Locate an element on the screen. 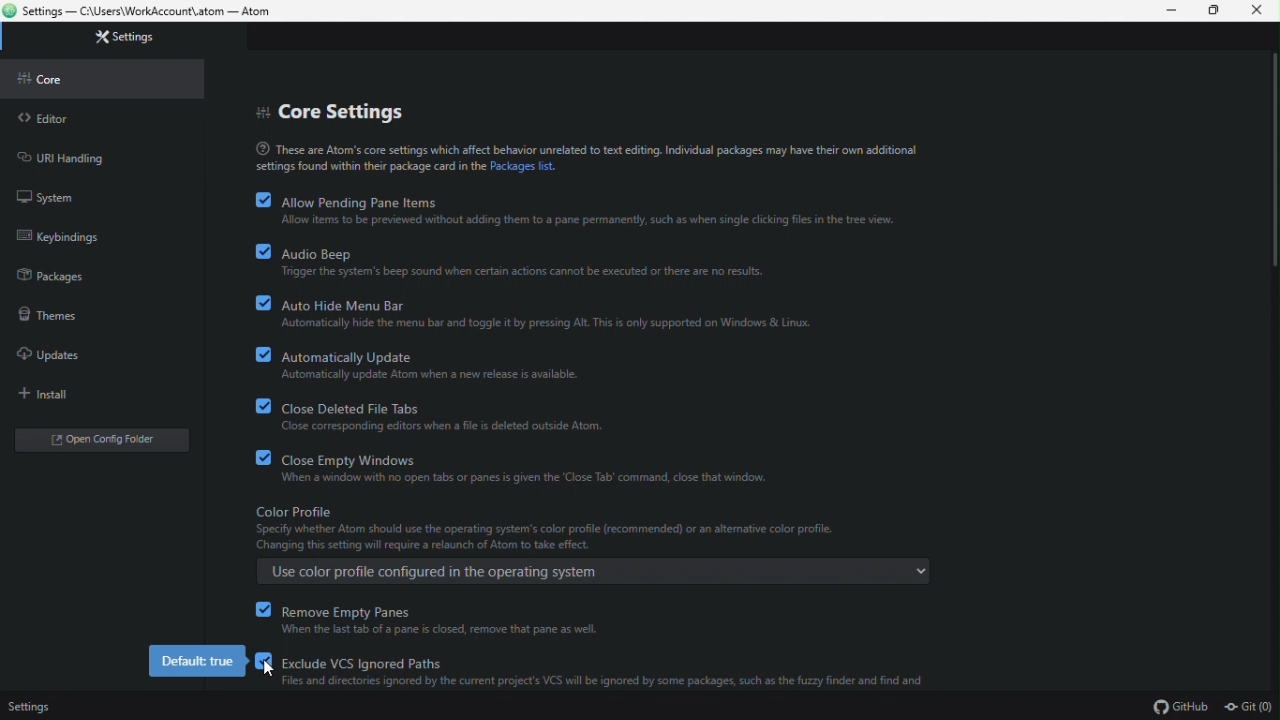  GitHub is located at coordinates (1181, 707).